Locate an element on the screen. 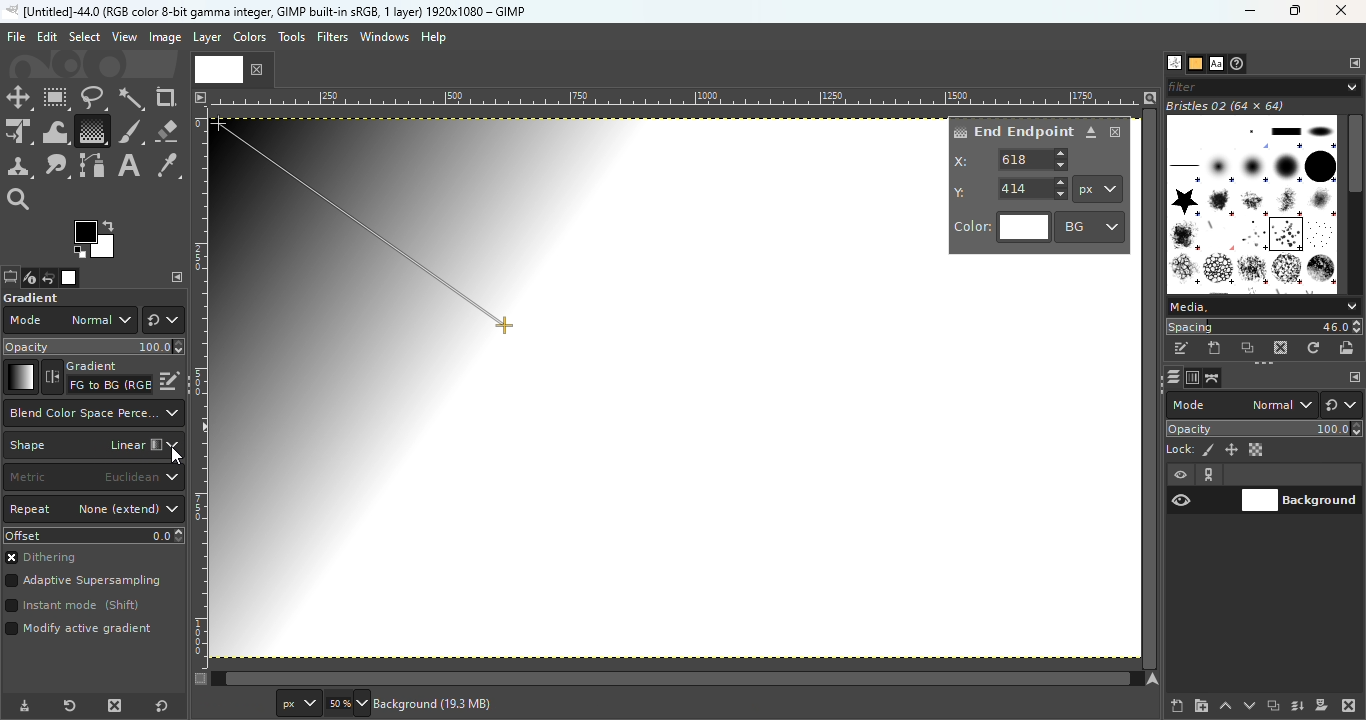  Layer is located at coordinates (206, 38).